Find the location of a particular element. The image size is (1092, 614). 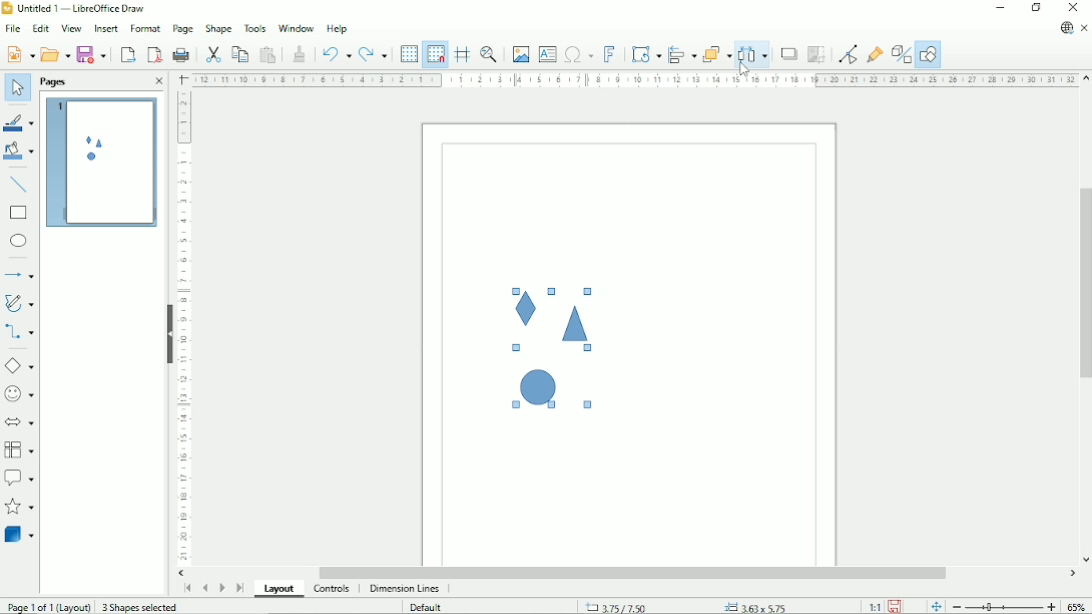

Zoom factor is located at coordinates (1077, 605).